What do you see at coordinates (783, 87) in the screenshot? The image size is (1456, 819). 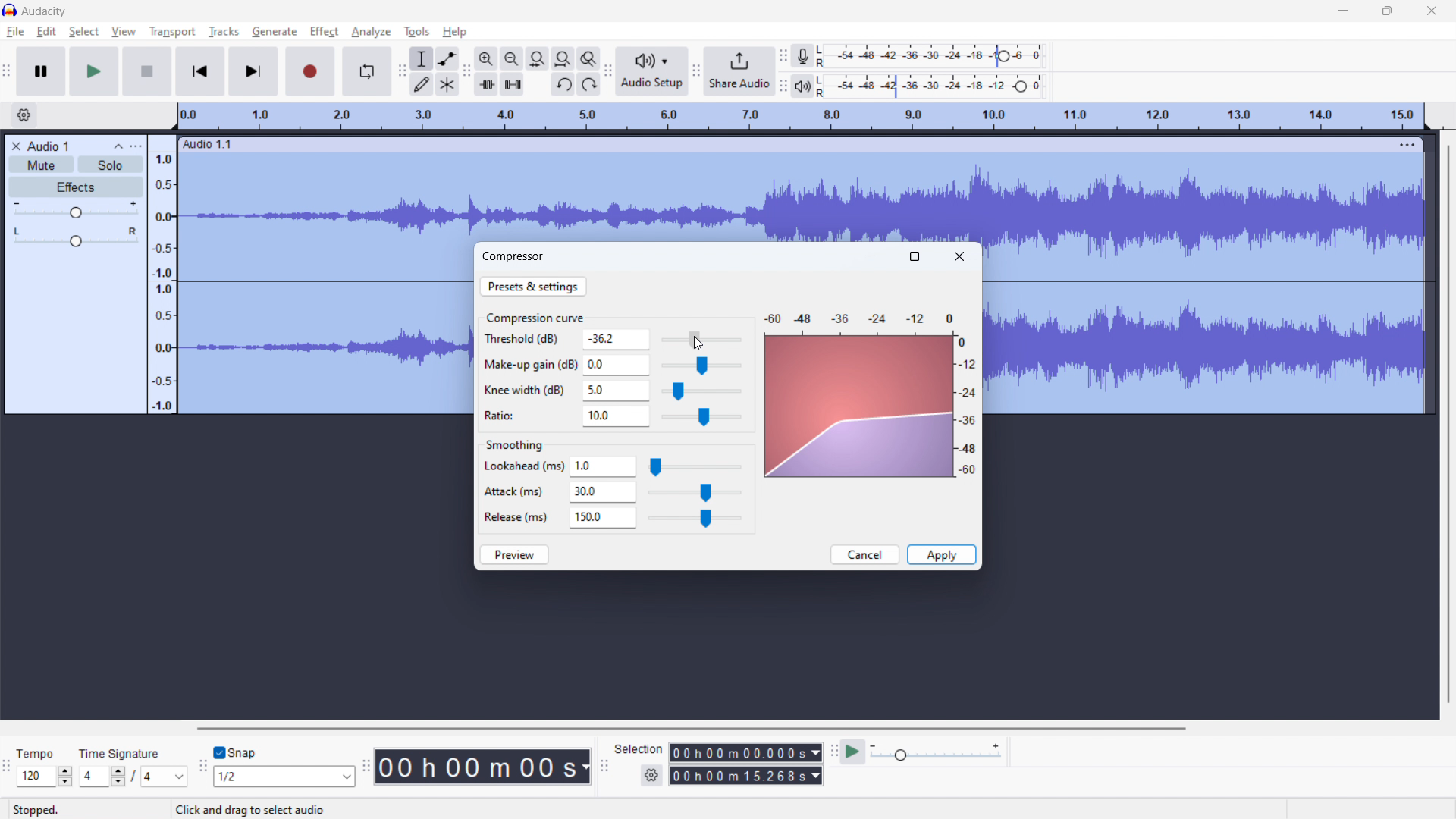 I see `playback meter toolbar` at bounding box center [783, 87].